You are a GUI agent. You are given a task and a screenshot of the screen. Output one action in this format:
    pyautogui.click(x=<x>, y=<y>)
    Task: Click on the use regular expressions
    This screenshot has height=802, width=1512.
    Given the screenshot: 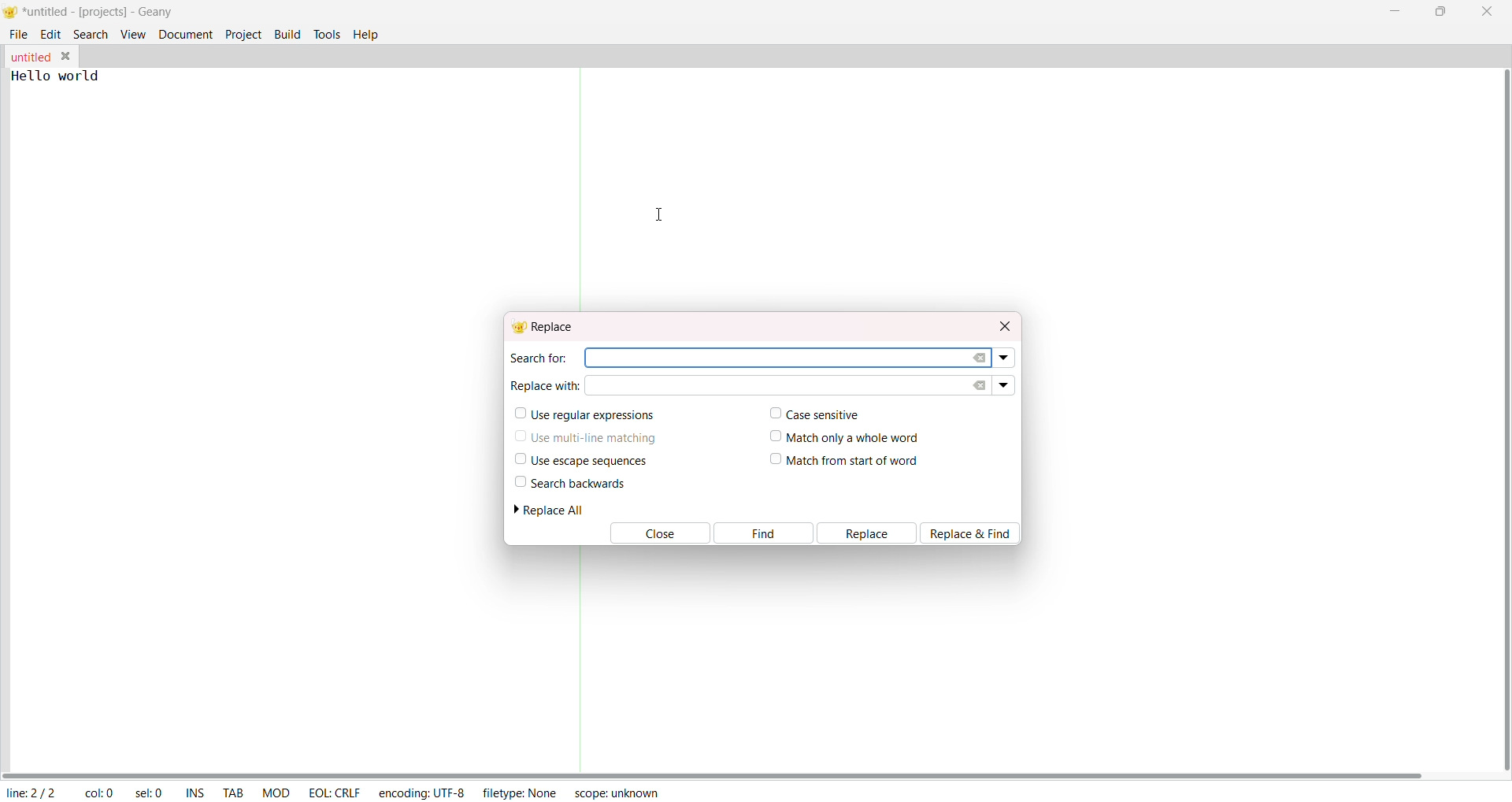 What is the action you would take?
    pyautogui.click(x=586, y=415)
    